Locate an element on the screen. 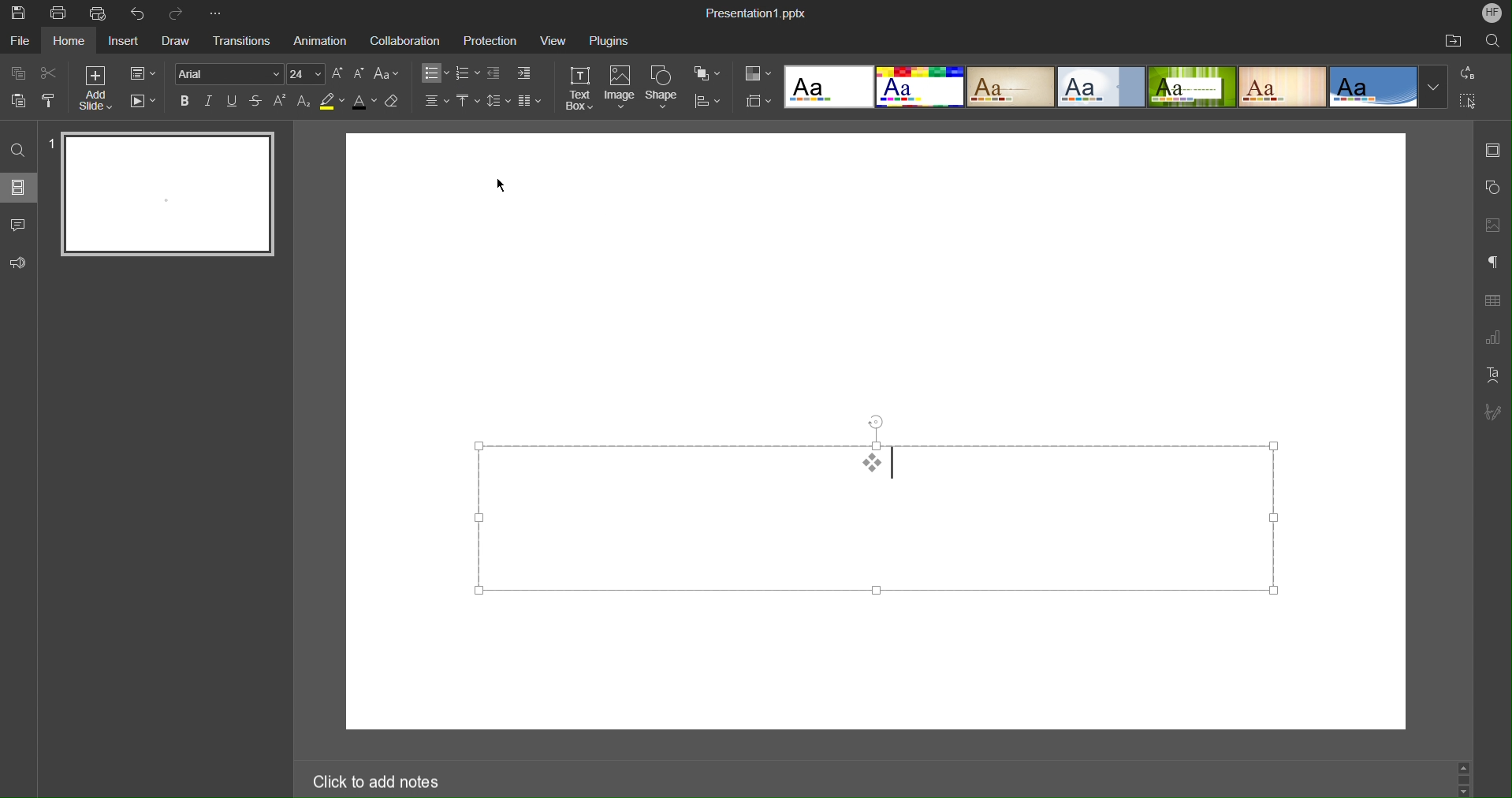 Image resolution: width=1512 pixels, height=798 pixels. Copy is located at coordinates (16, 73).